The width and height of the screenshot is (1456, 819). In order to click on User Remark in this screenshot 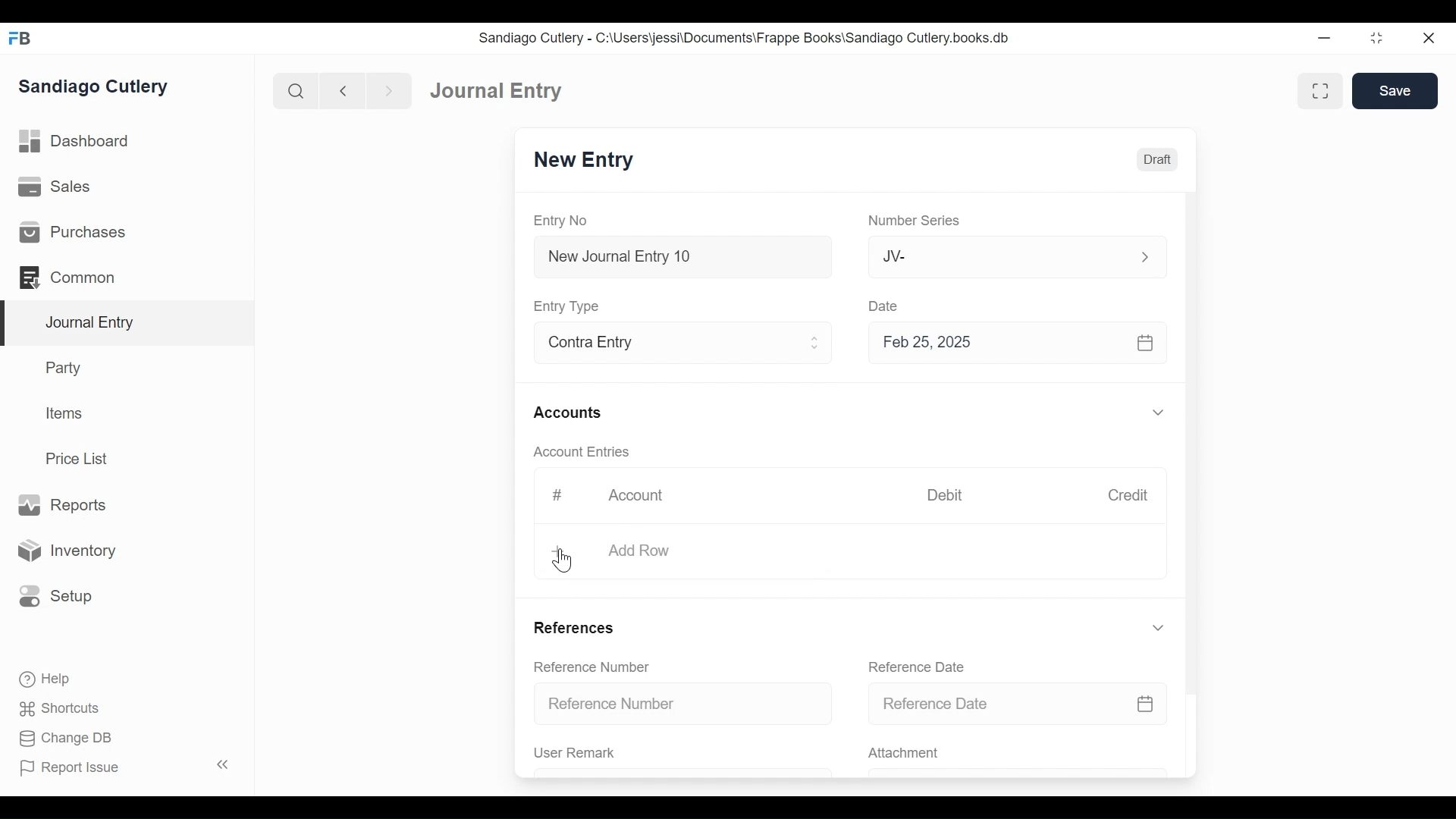, I will do `click(575, 753)`.